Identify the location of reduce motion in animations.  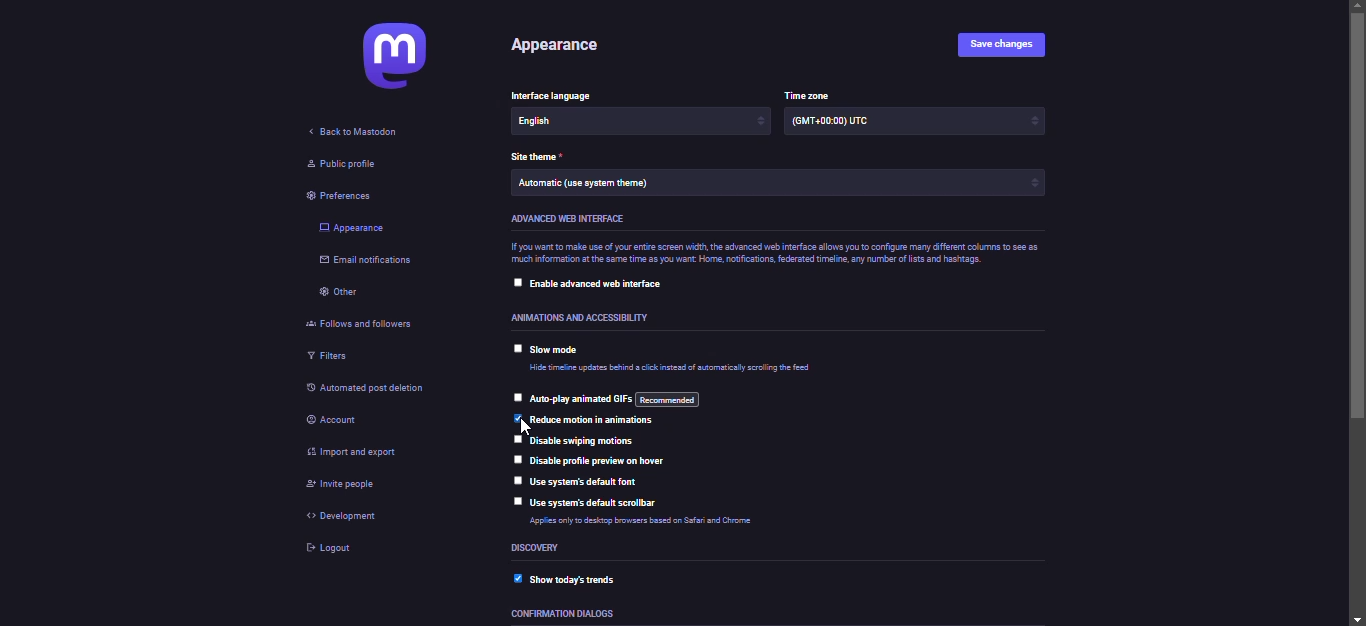
(597, 421).